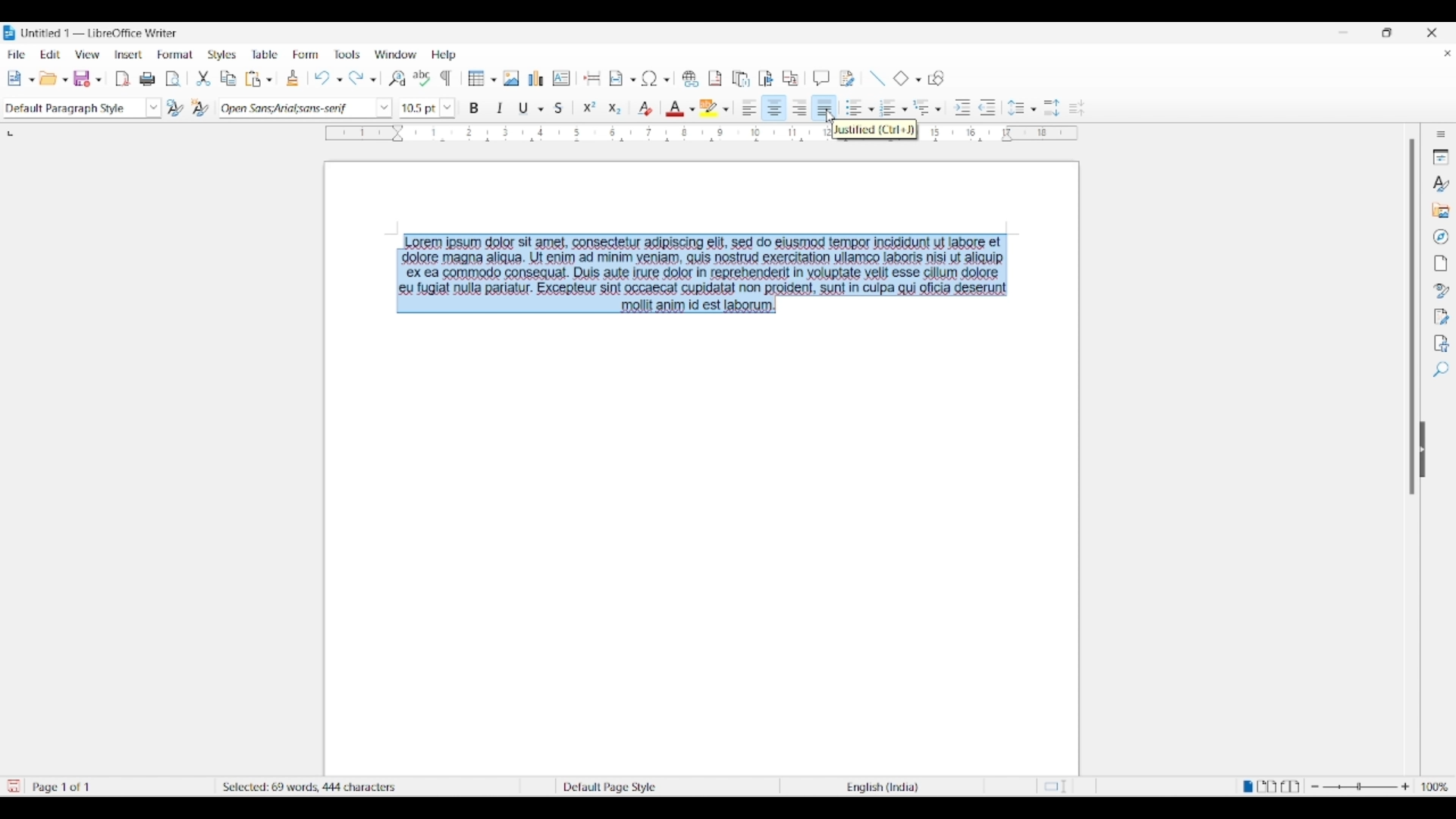 The width and height of the screenshot is (1456, 819). What do you see at coordinates (322, 78) in the screenshot?
I see `Undo last action` at bounding box center [322, 78].